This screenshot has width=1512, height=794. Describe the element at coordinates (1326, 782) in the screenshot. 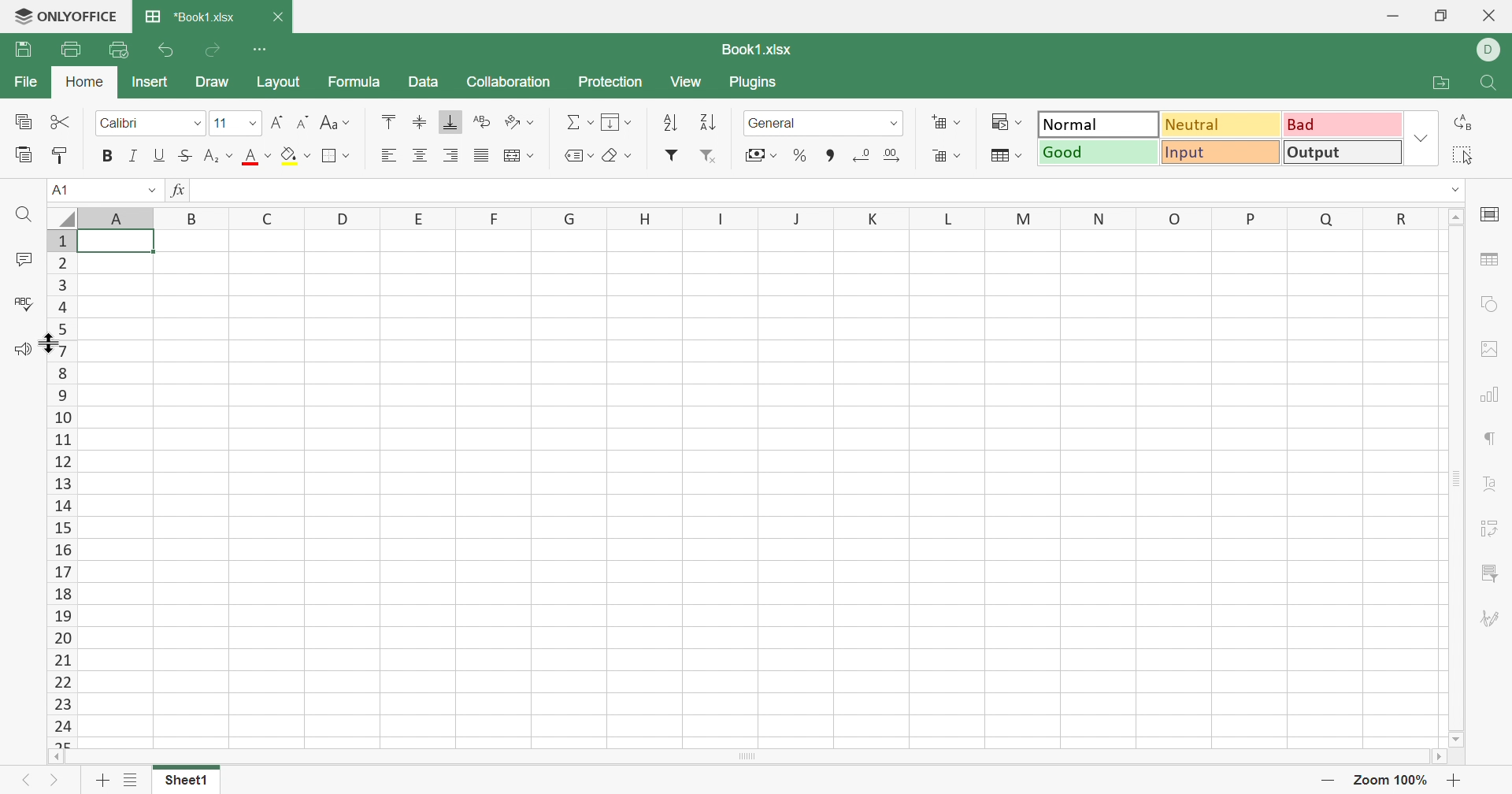

I see `Zoom Out` at that location.